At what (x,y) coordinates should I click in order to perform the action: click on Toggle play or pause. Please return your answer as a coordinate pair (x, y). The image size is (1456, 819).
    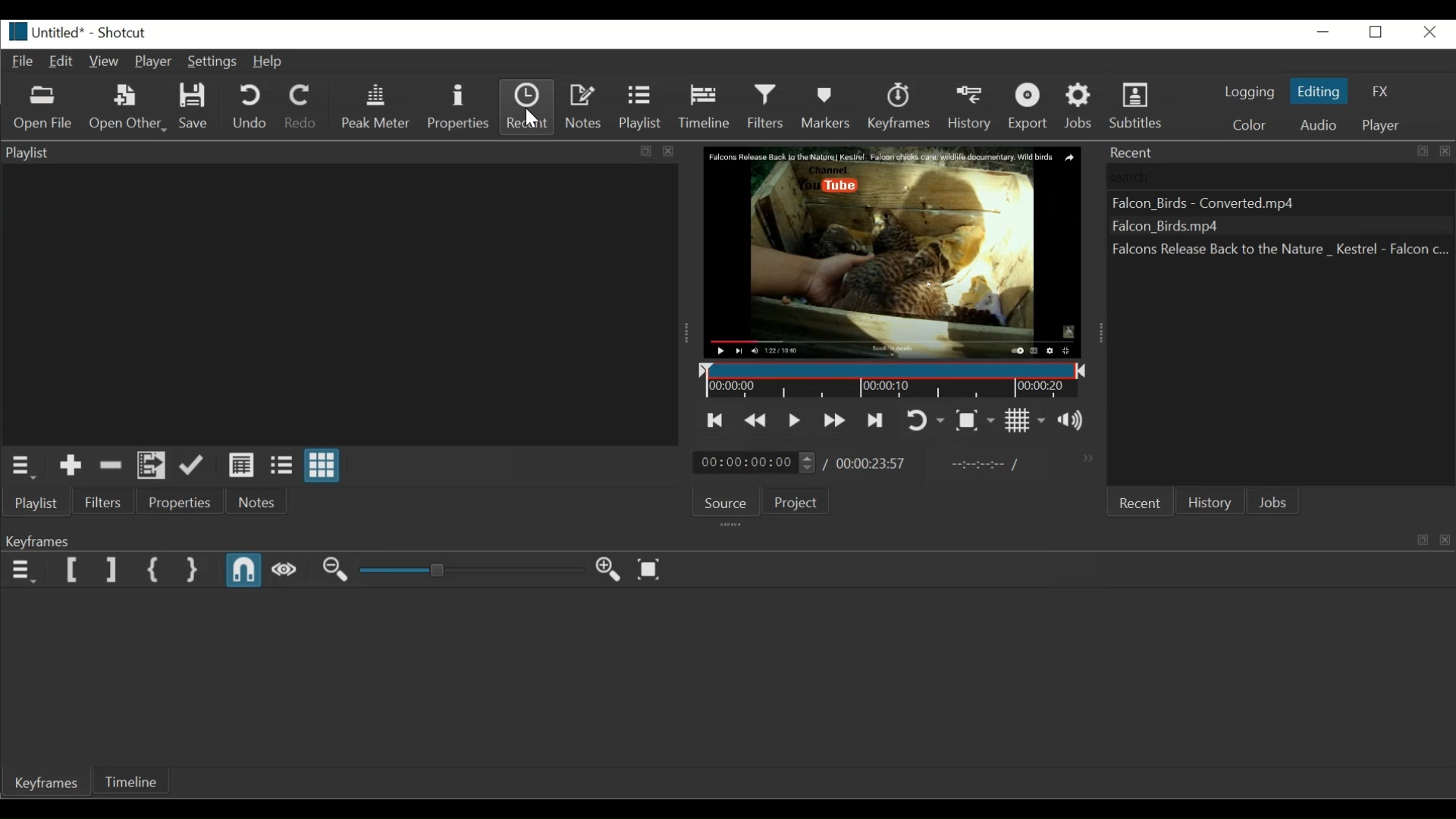
    Looking at the image, I should click on (792, 420).